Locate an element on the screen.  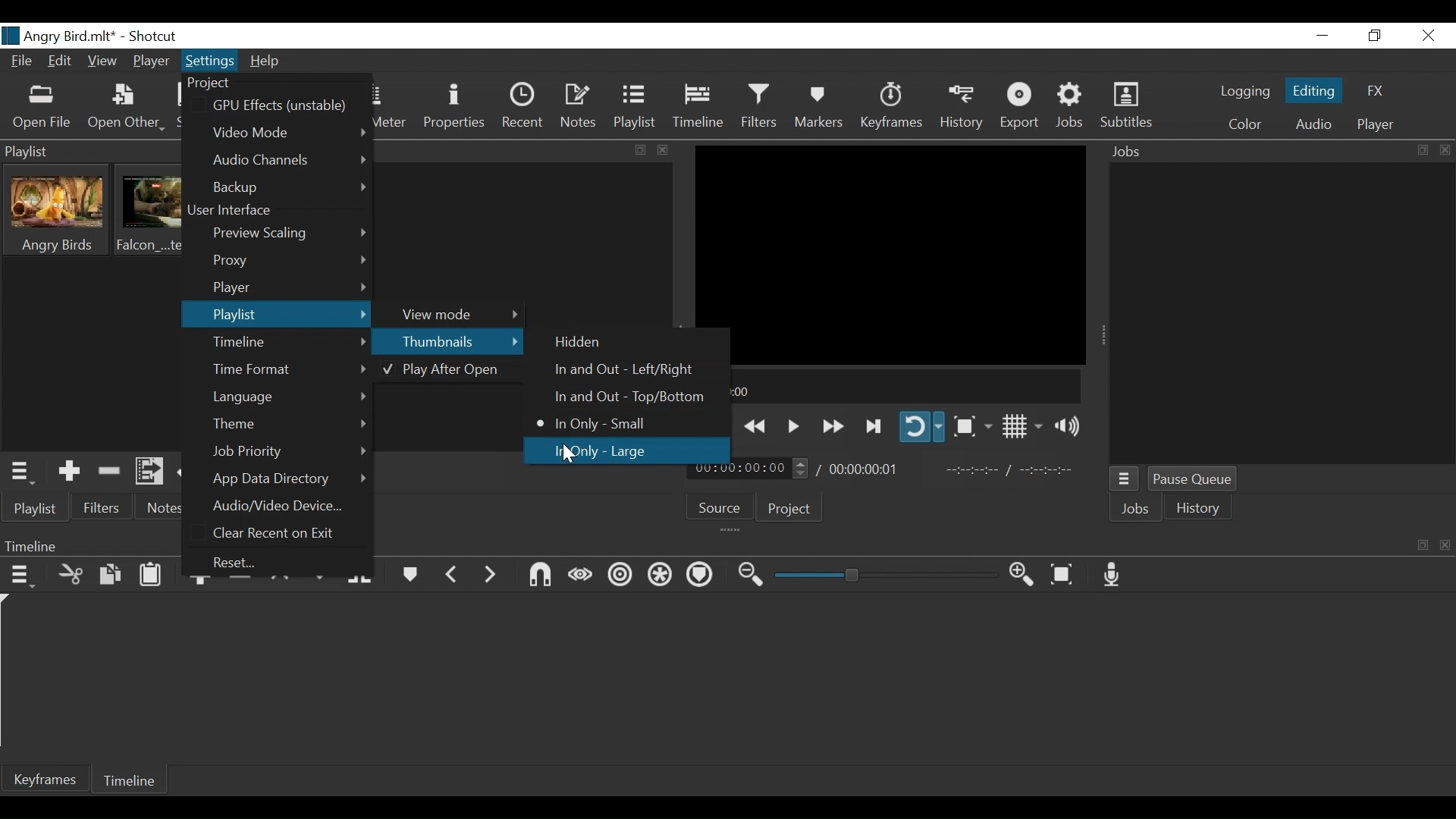
Color is located at coordinates (1245, 124).